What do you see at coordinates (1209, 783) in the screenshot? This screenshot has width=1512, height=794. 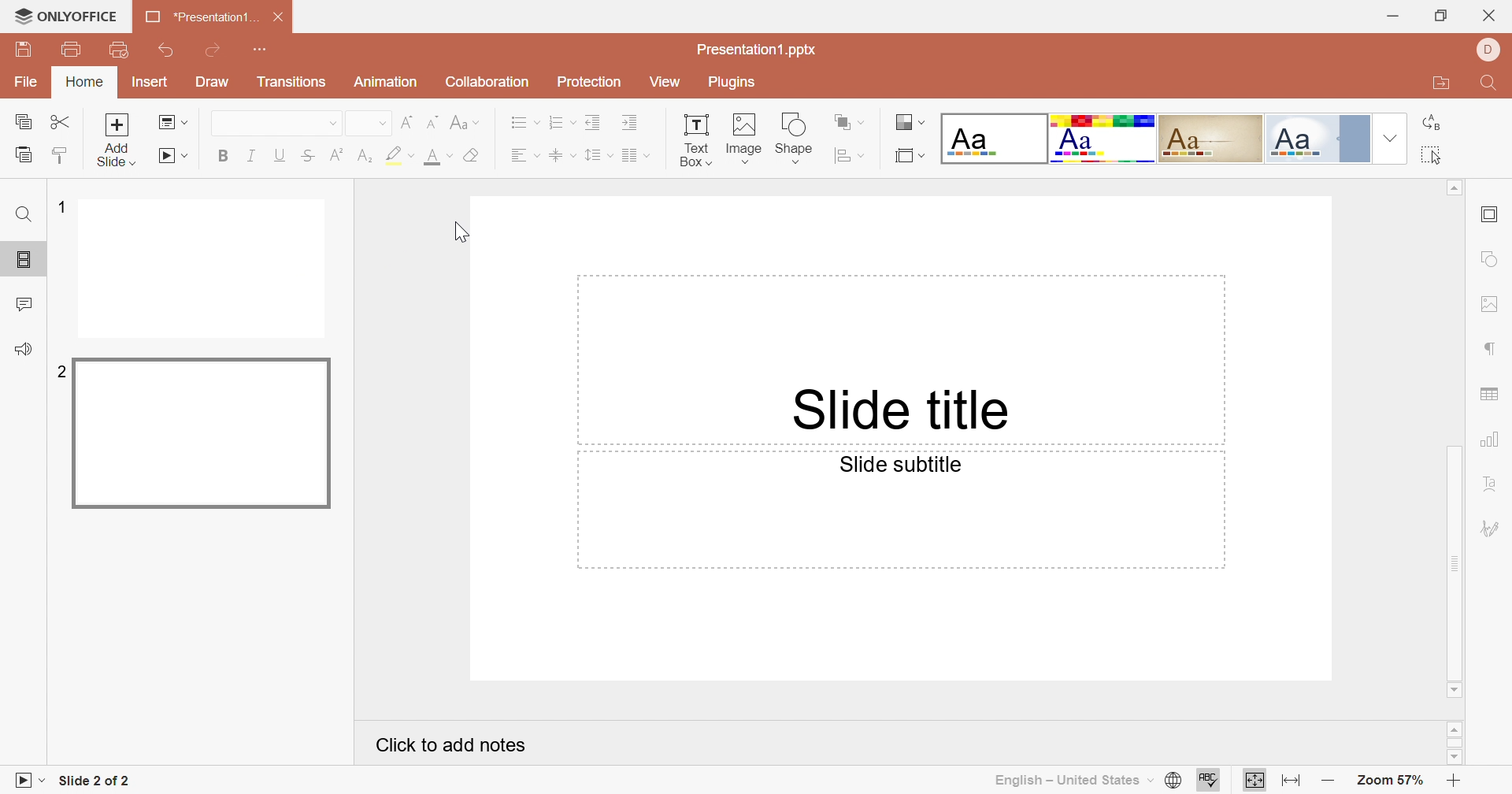 I see `Spell Checking` at bounding box center [1209, 783].